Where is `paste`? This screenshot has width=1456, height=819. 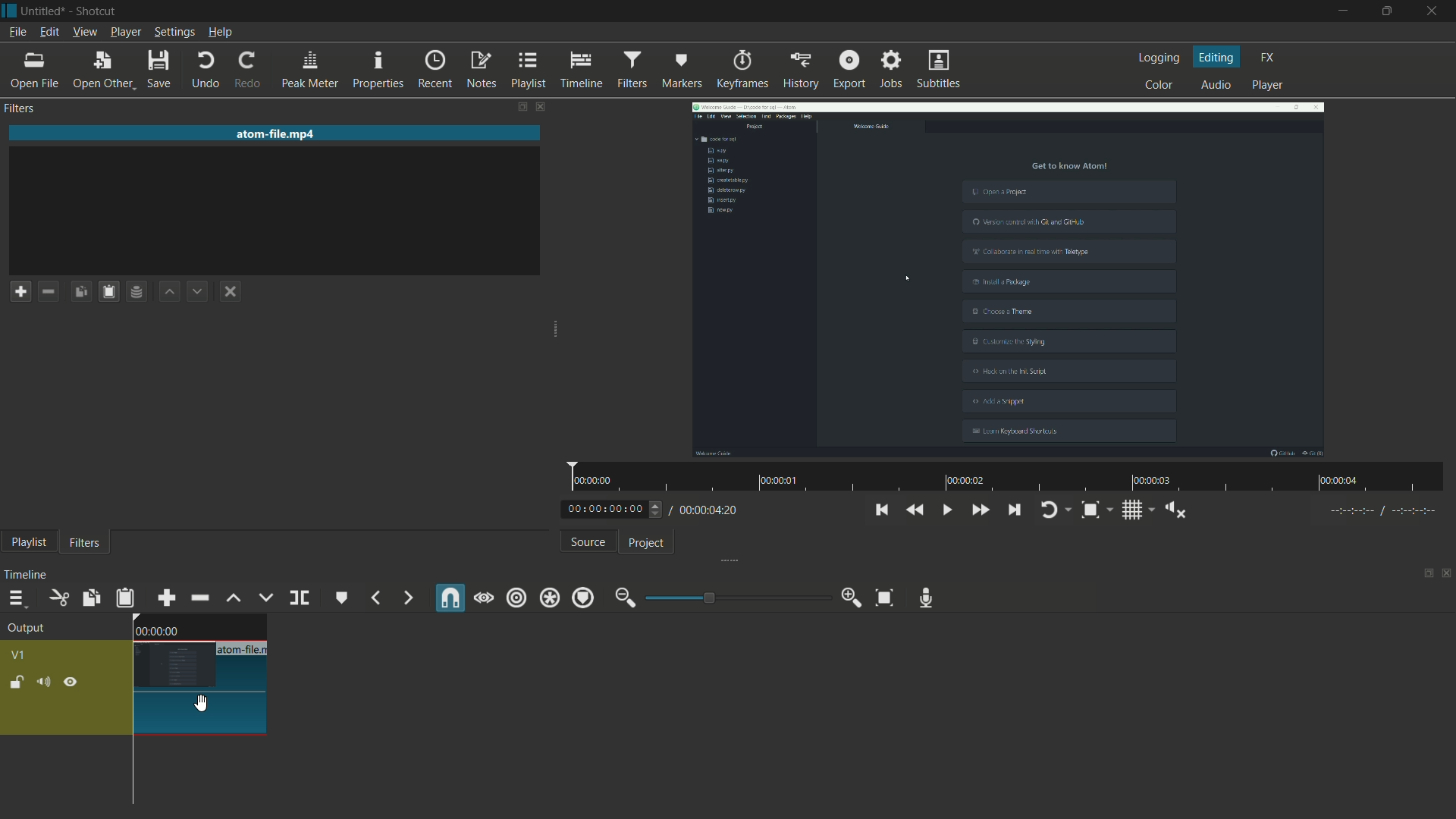
paste is located at coordinates (80, 291).